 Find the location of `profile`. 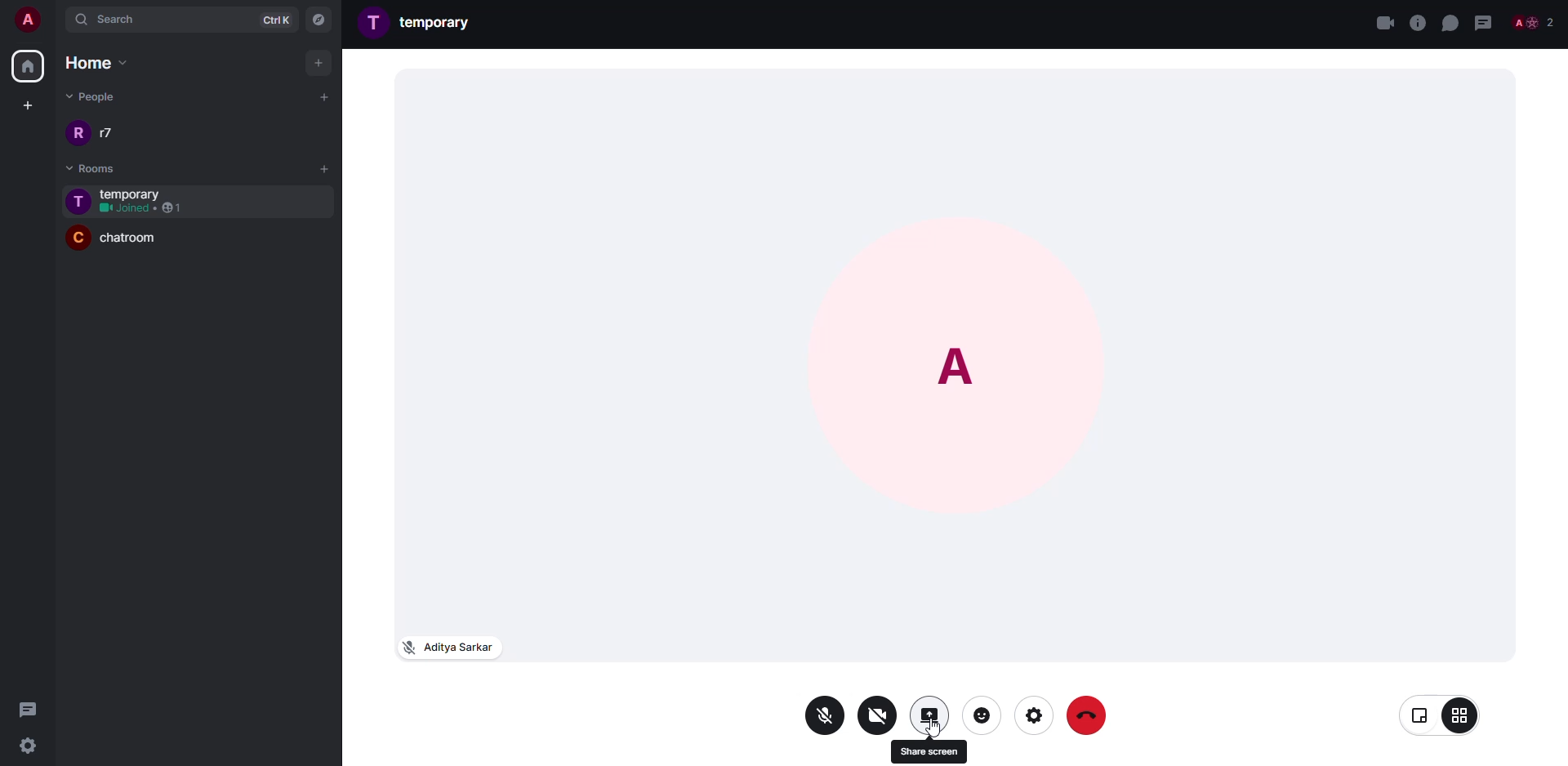

profile is located at coordinates (78, 133).